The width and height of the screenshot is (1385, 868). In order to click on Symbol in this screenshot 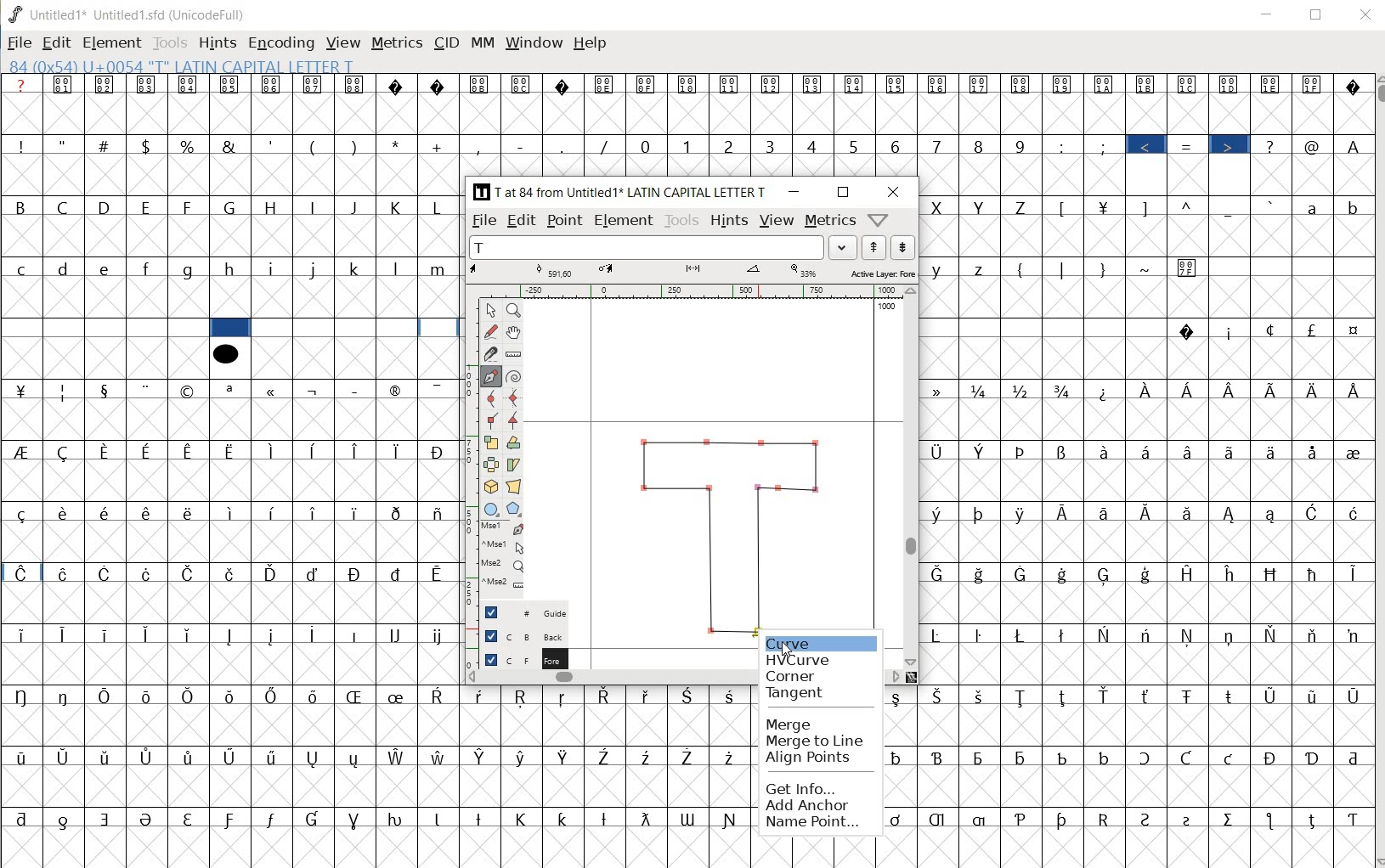, I will do `click(1350, 696)`.